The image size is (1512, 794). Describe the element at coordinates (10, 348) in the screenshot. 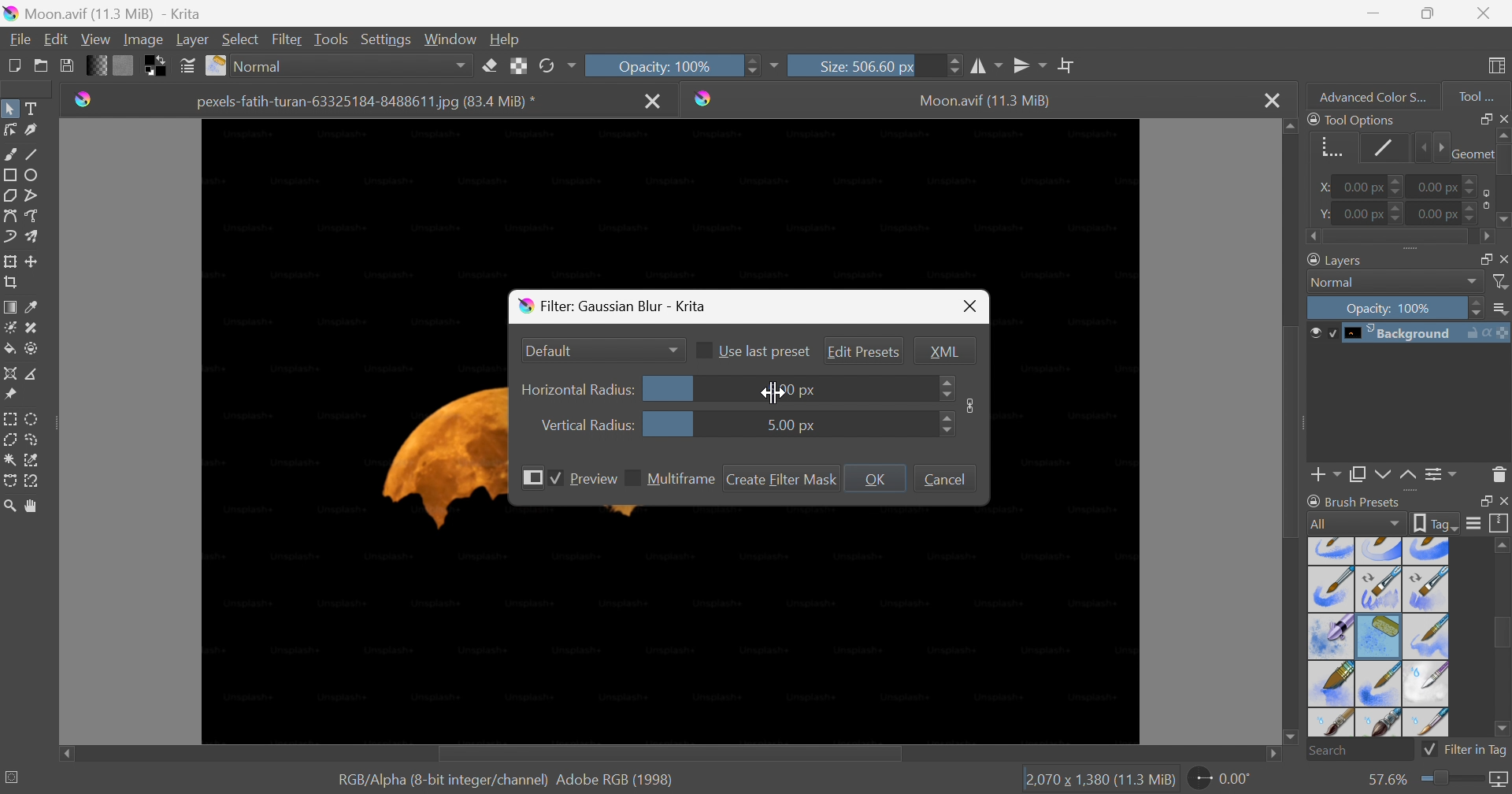

I see `Fill a contiguous area of color with a color or a fill selection` at that location.